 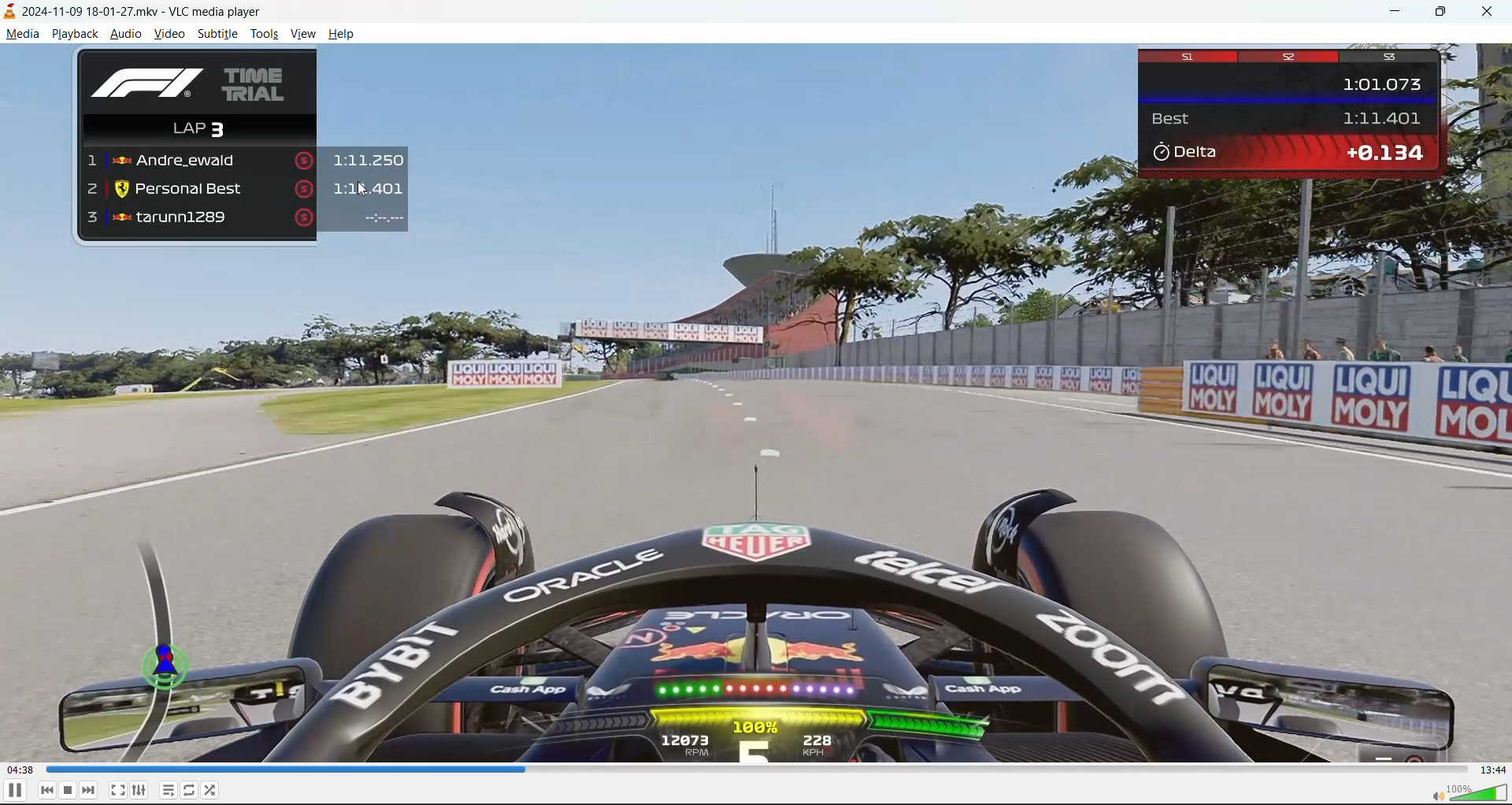 What do you see at coordinates (215, 789) in the screenshot?
I see `random` at bounding box center [215, 789].